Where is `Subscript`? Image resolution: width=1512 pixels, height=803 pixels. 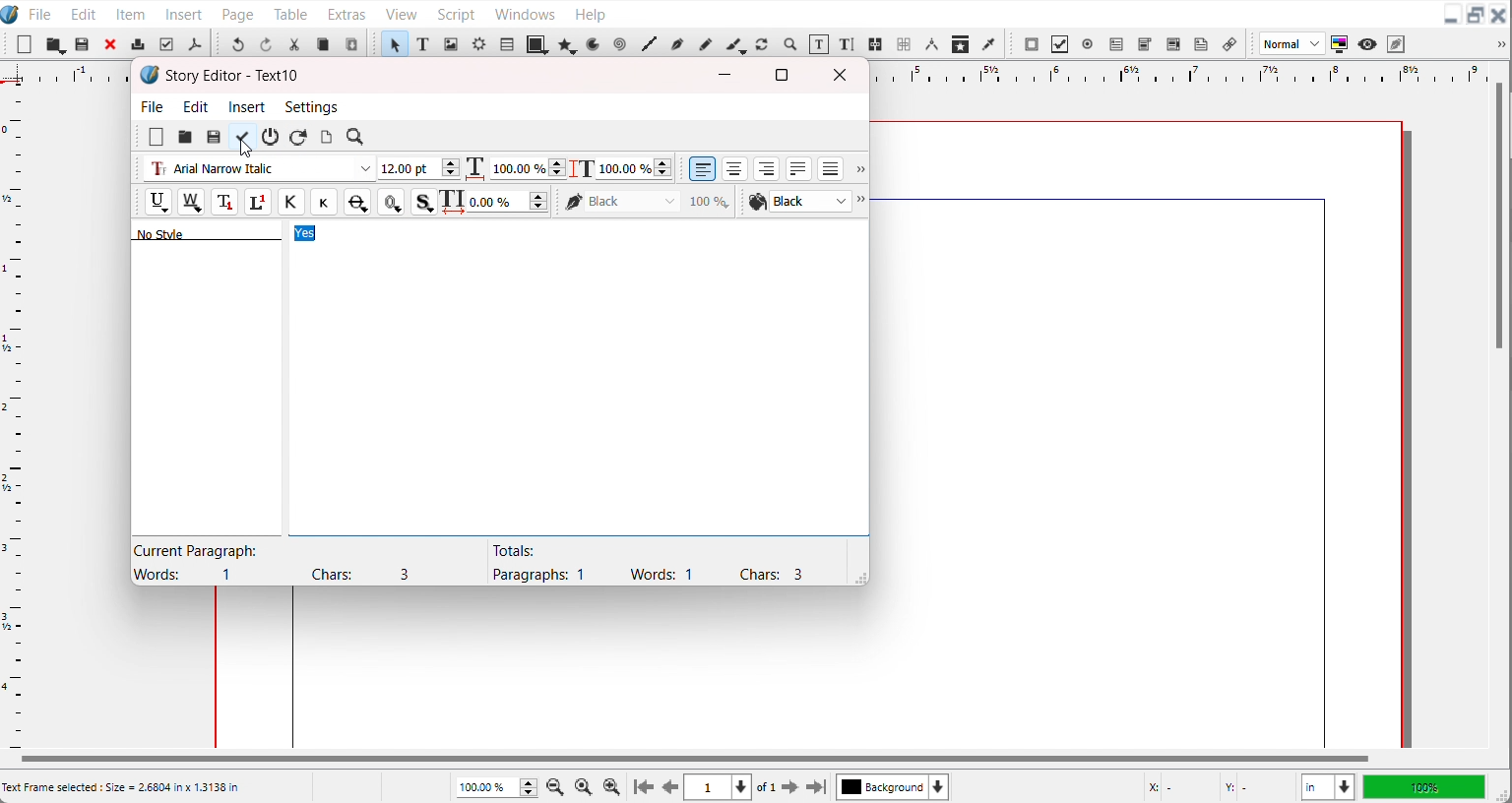 Subscript is located at coordinates (224, 202).